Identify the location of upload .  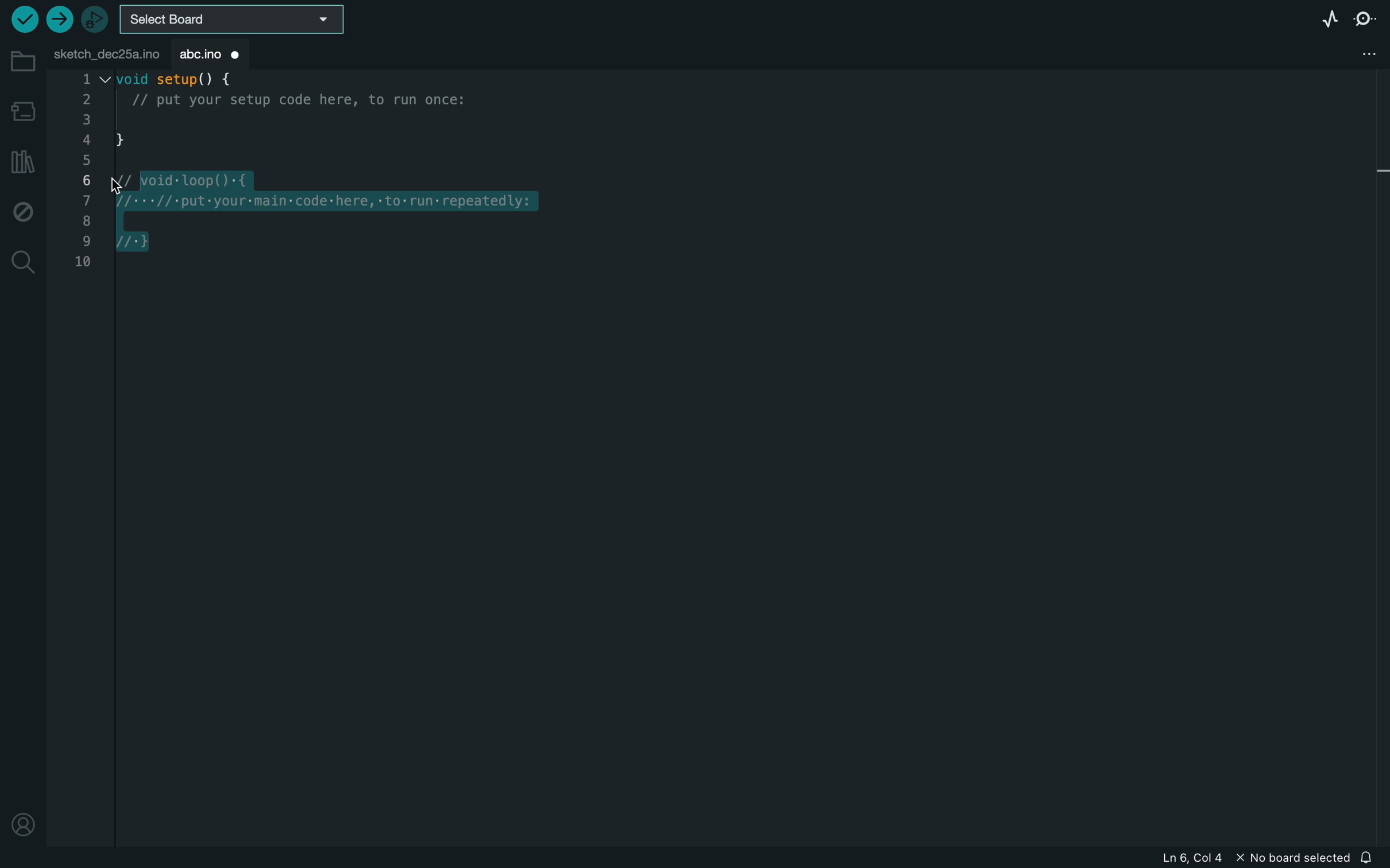
(59, 20).